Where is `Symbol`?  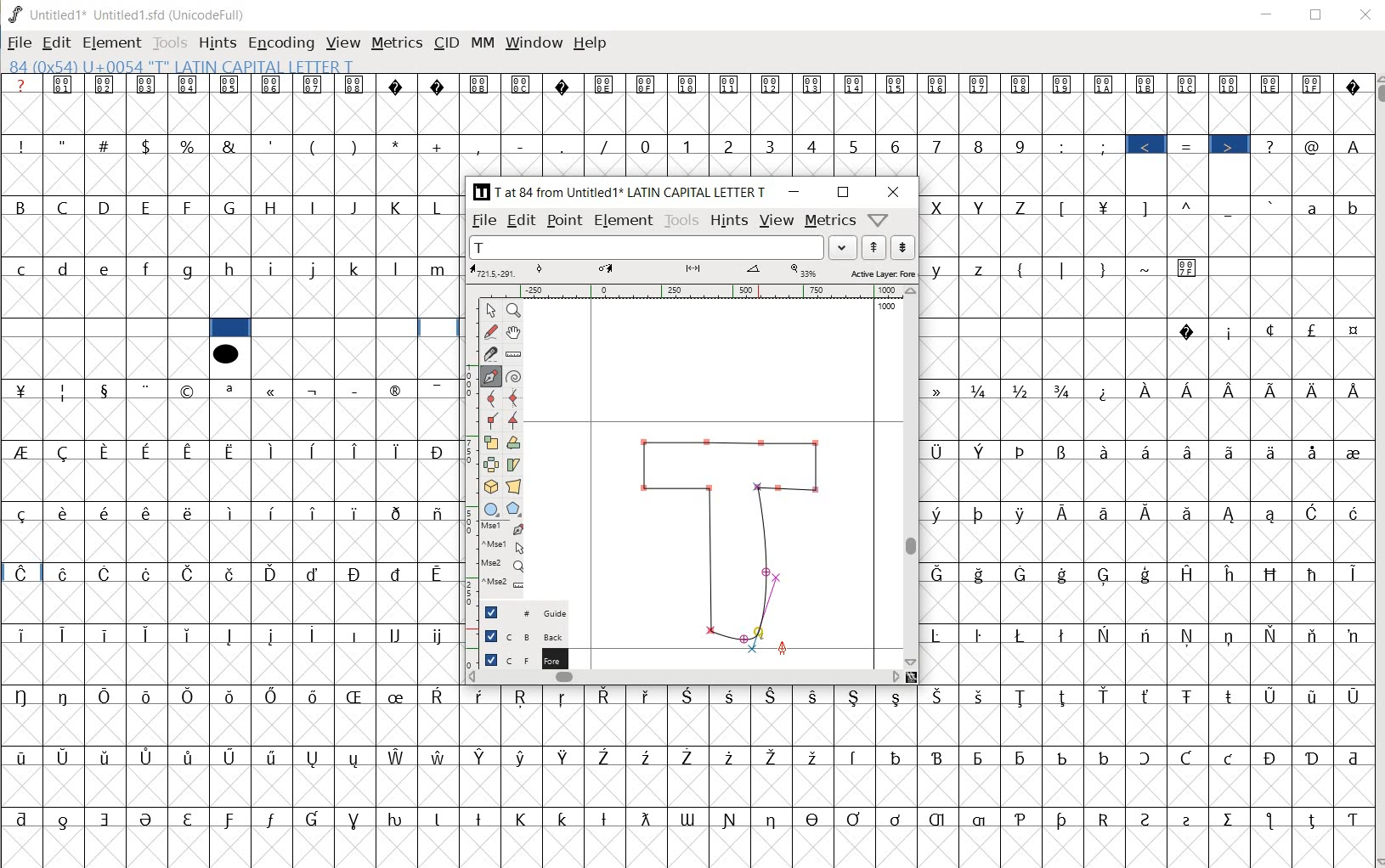 Symbol is located at coordinates (731, 86).